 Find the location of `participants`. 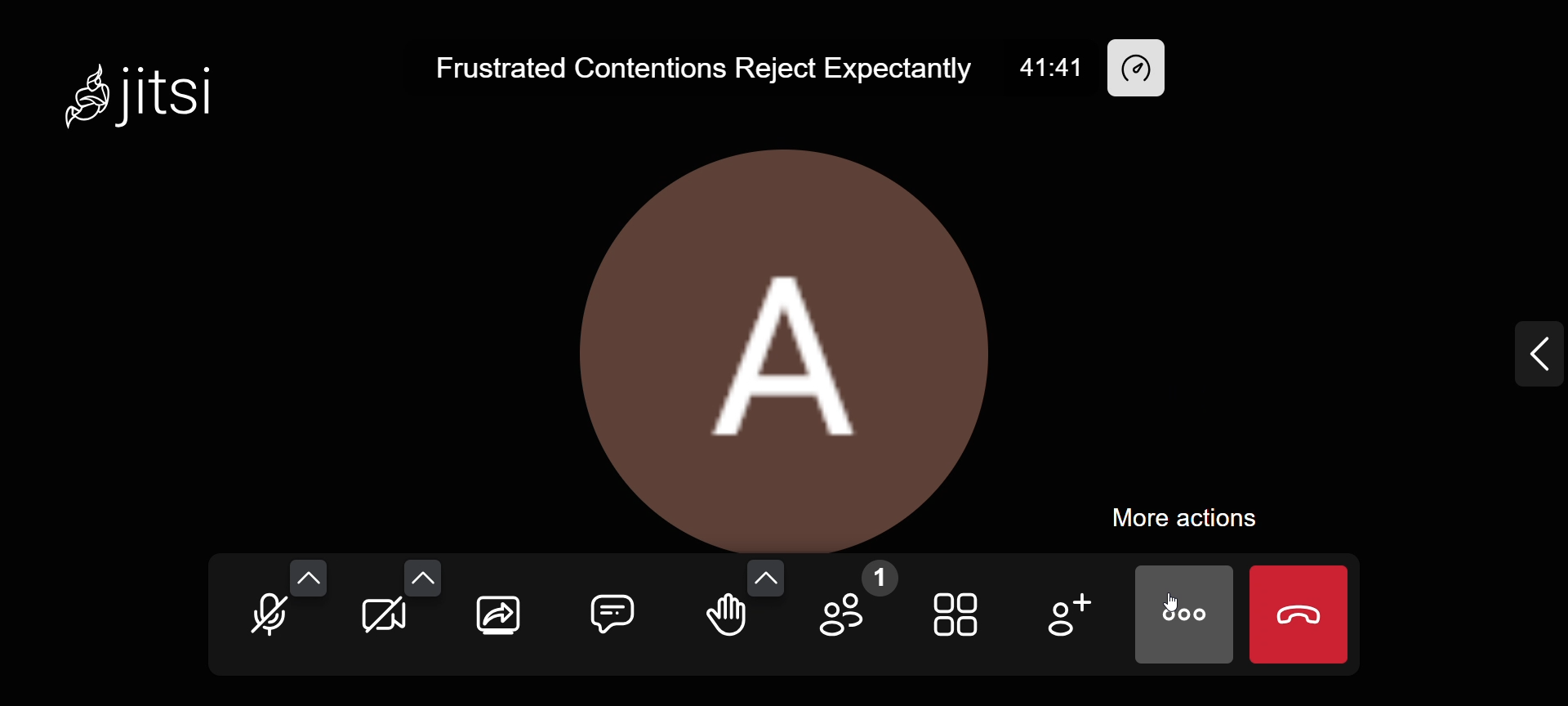

participants is located at coordinates (853, 607).